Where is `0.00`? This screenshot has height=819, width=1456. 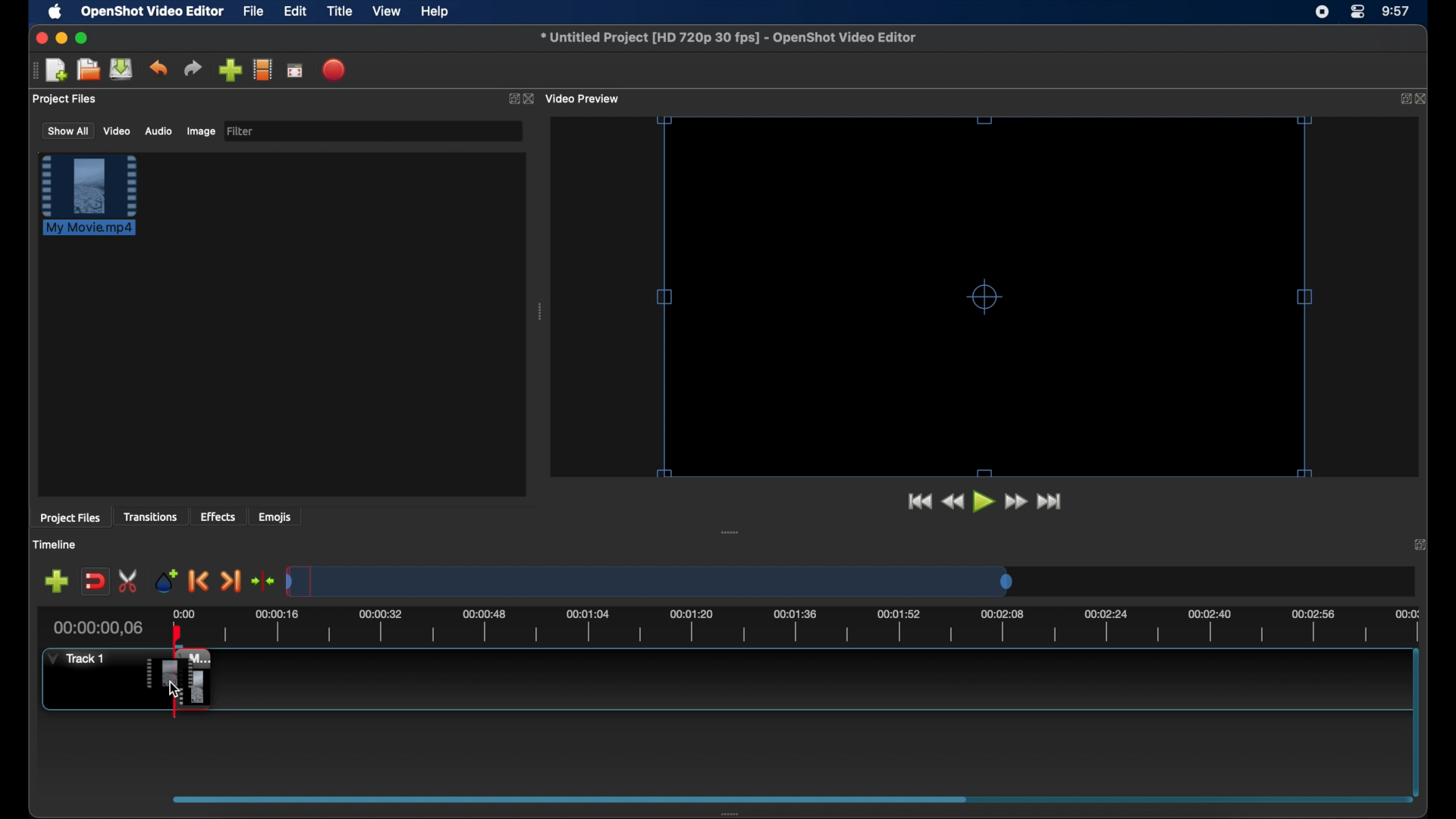 0.00 is located at coordinates (184, 613).